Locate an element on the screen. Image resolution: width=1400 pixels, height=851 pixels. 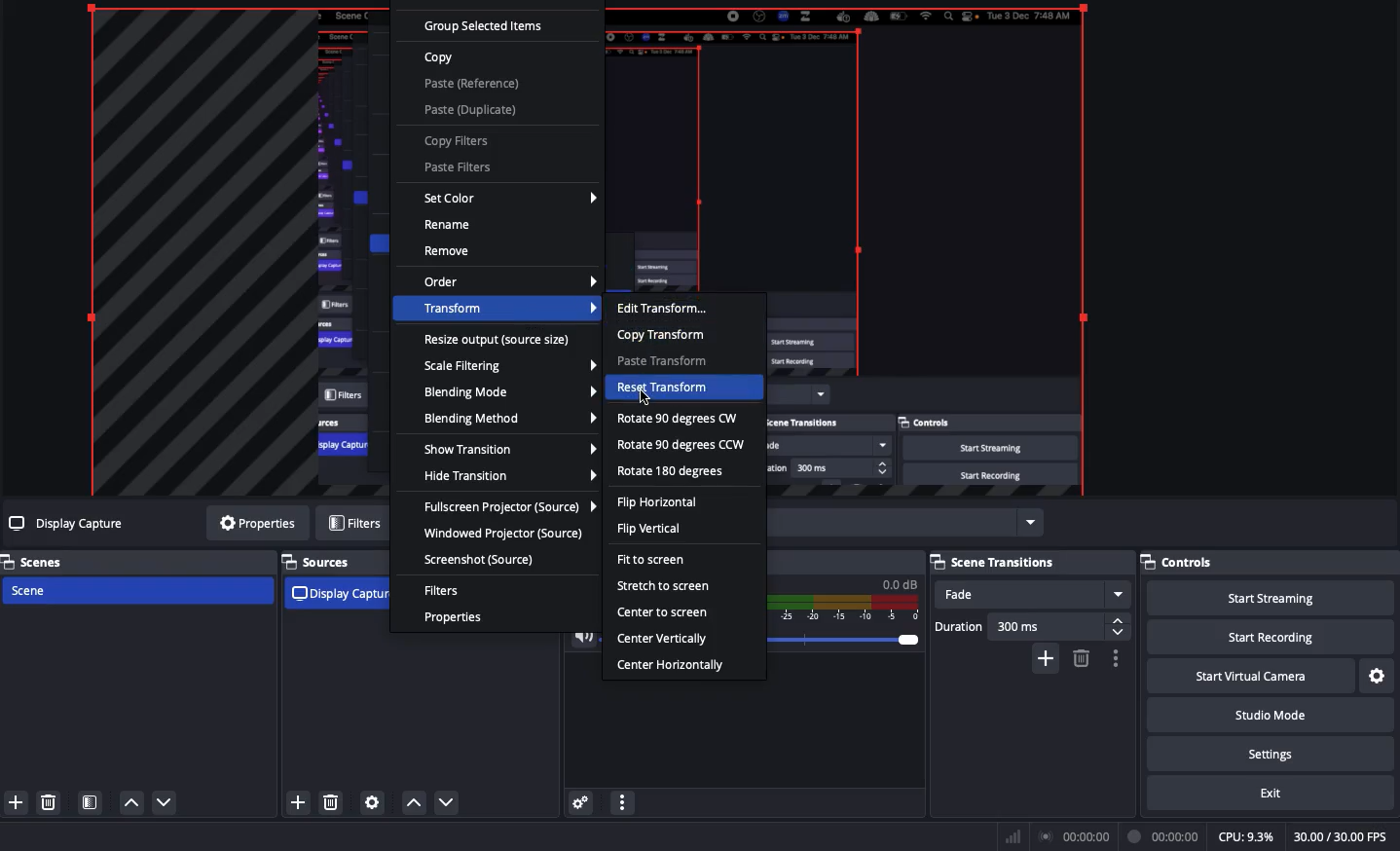
delete is located at coordinates (334, 803).